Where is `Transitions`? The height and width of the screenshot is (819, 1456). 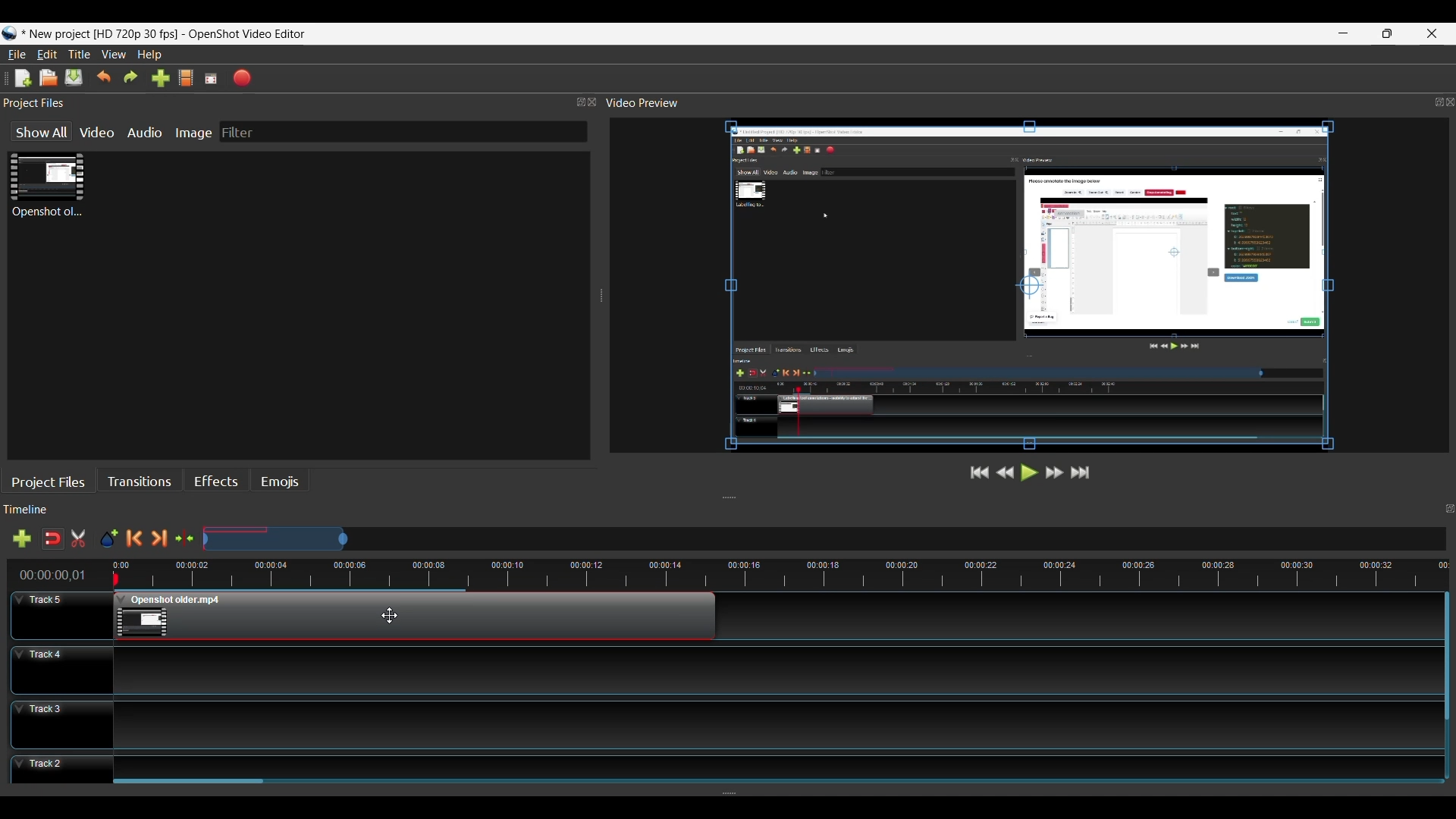 Transitions is located at coordinates (138, 482).